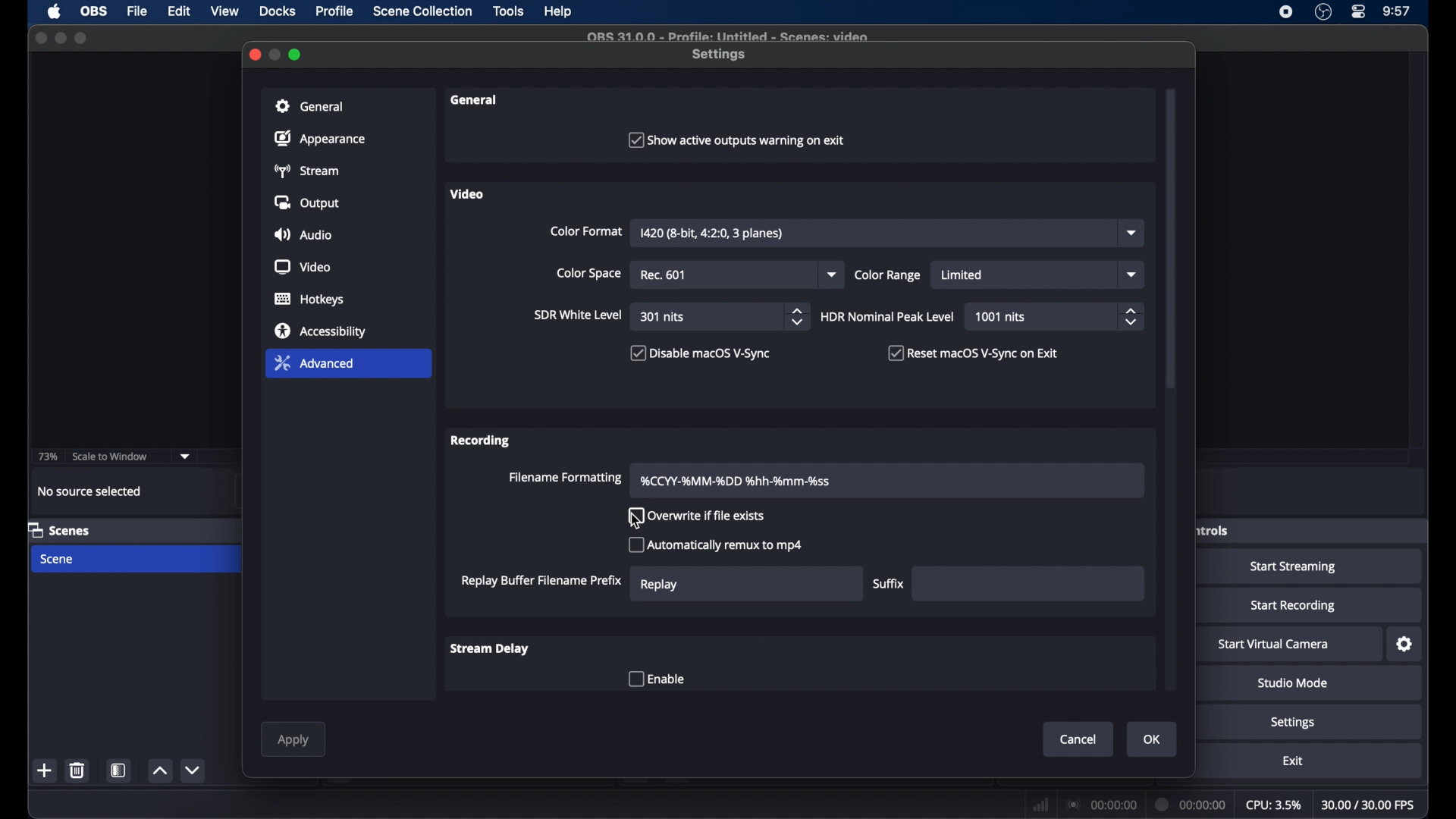 The width and height of the screenshot is (1456, 819). Describe the element at coordinates (159, 770) in the screenshot. I see `increment` at that location.